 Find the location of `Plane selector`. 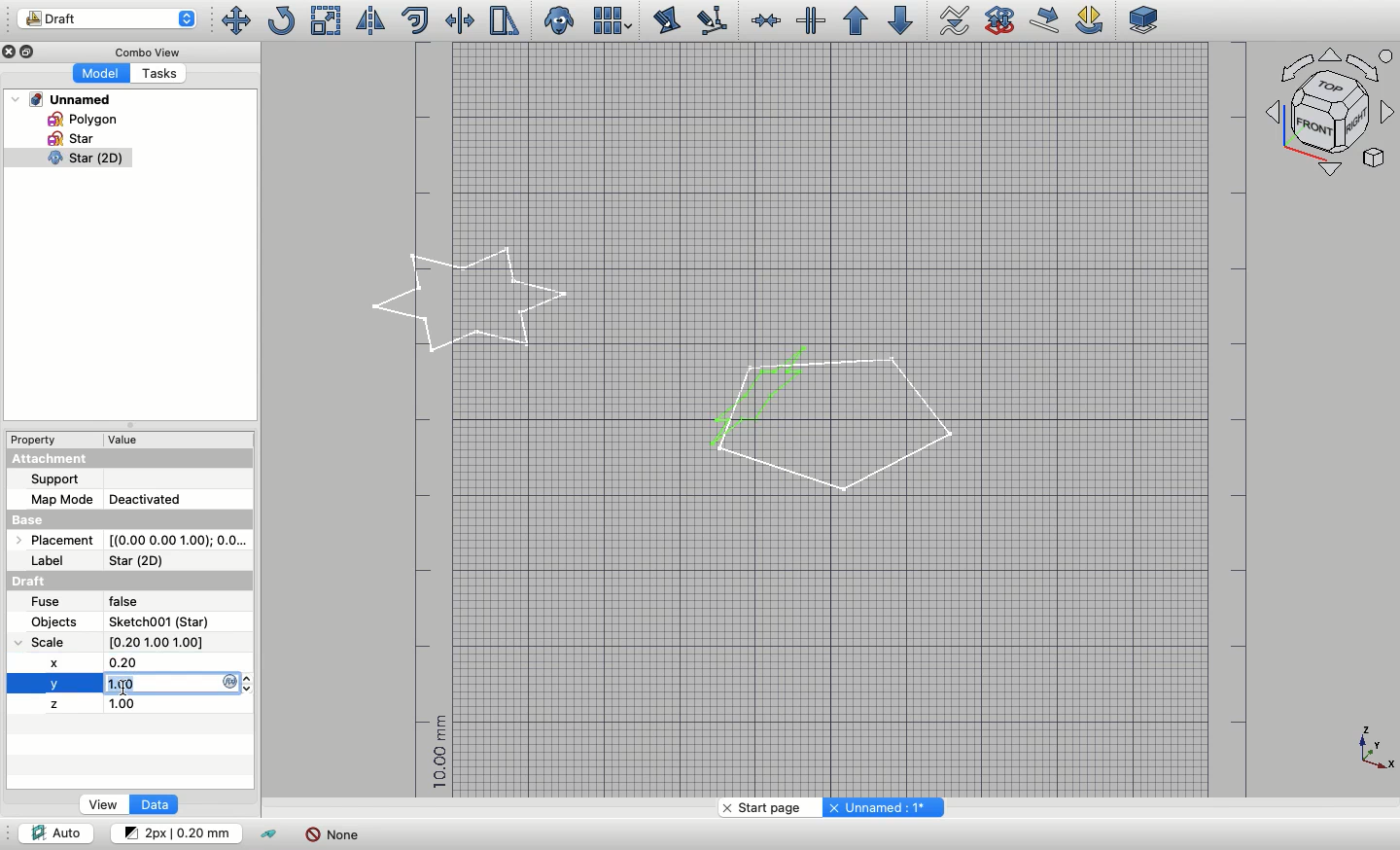

Plane selector is located at coordinates (1145, 19).